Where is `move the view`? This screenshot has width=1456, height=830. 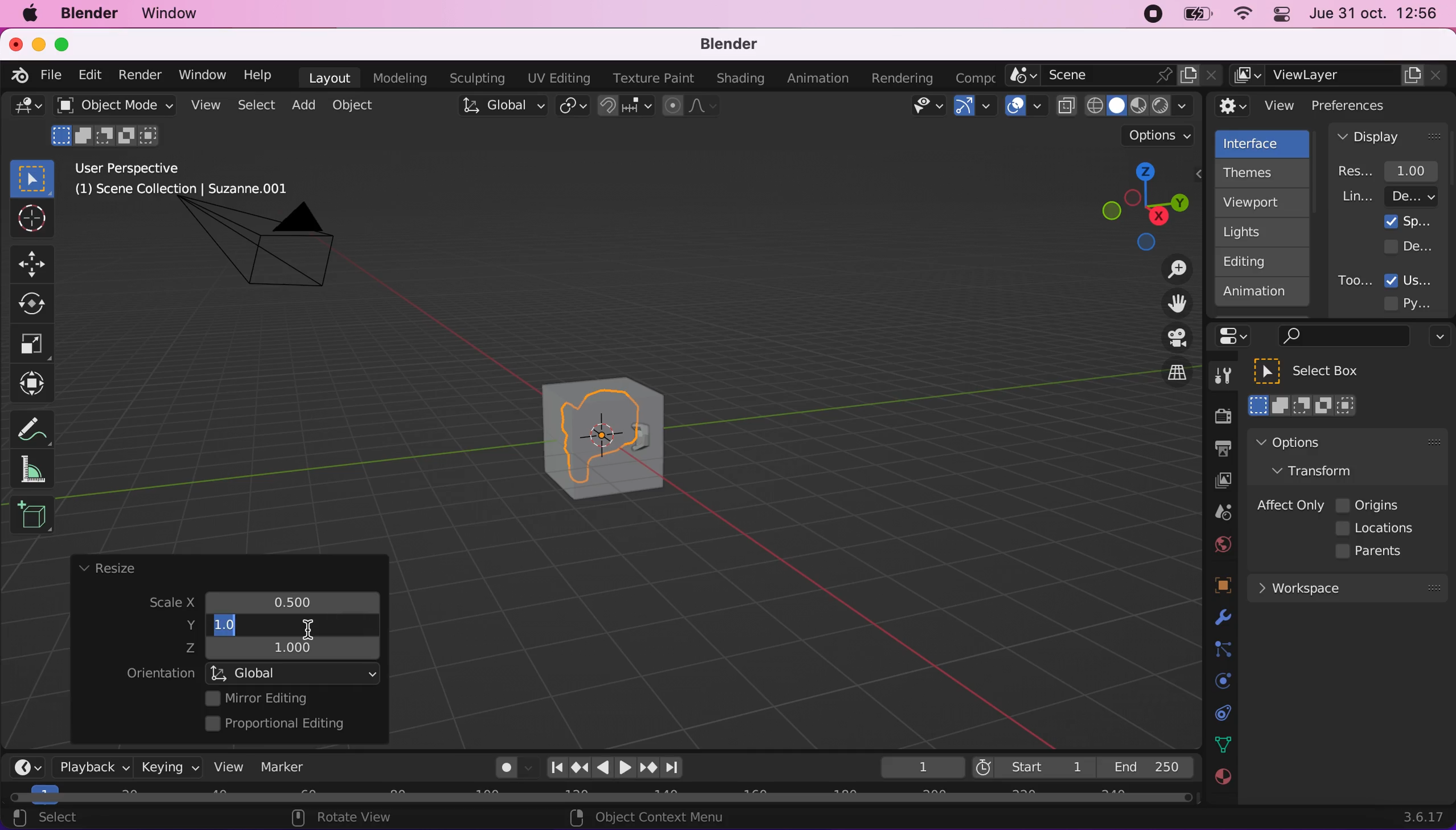
move the view is located at coordinates (1168, 304).